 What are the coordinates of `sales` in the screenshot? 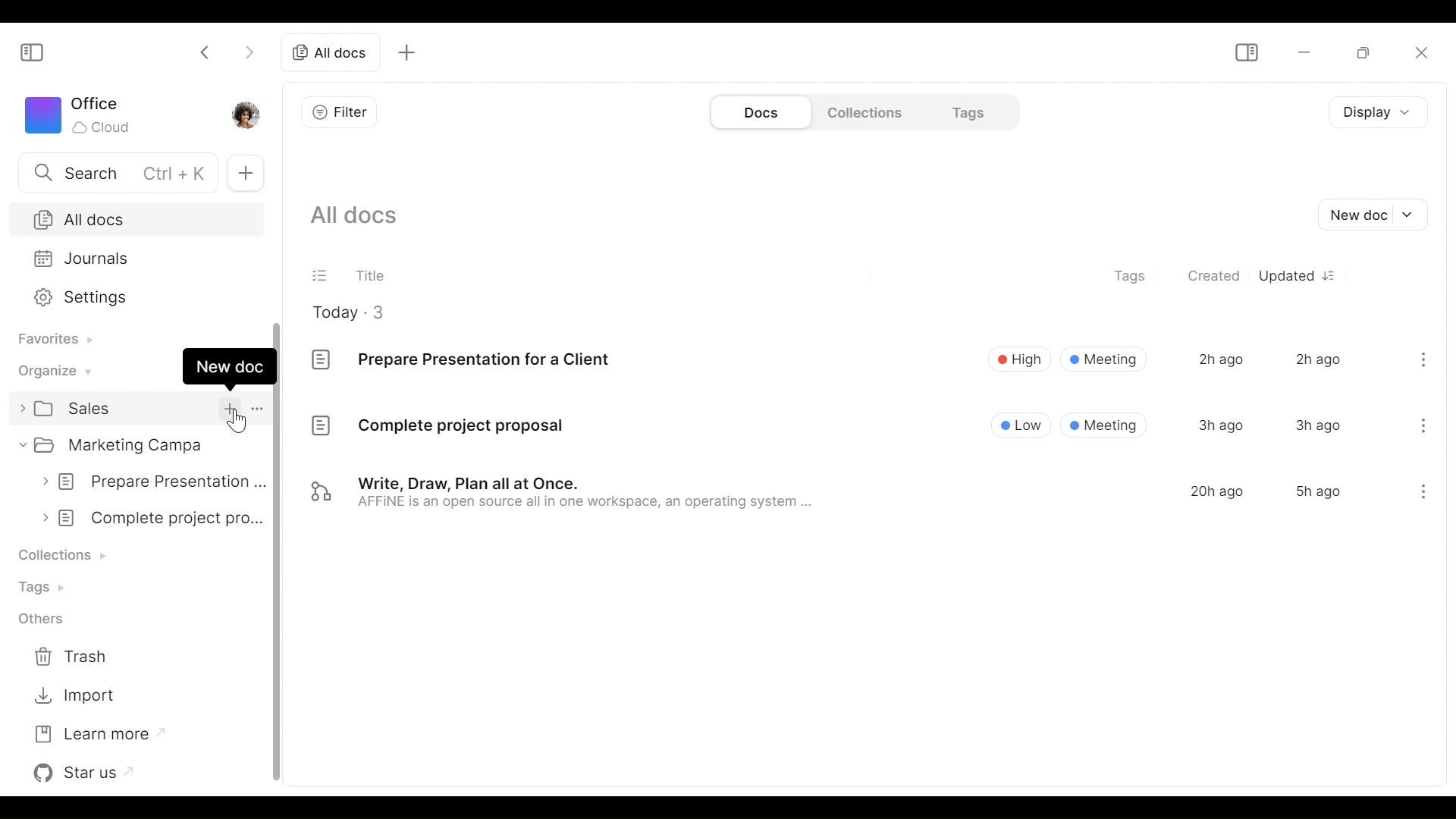 It's located at (95, 411).